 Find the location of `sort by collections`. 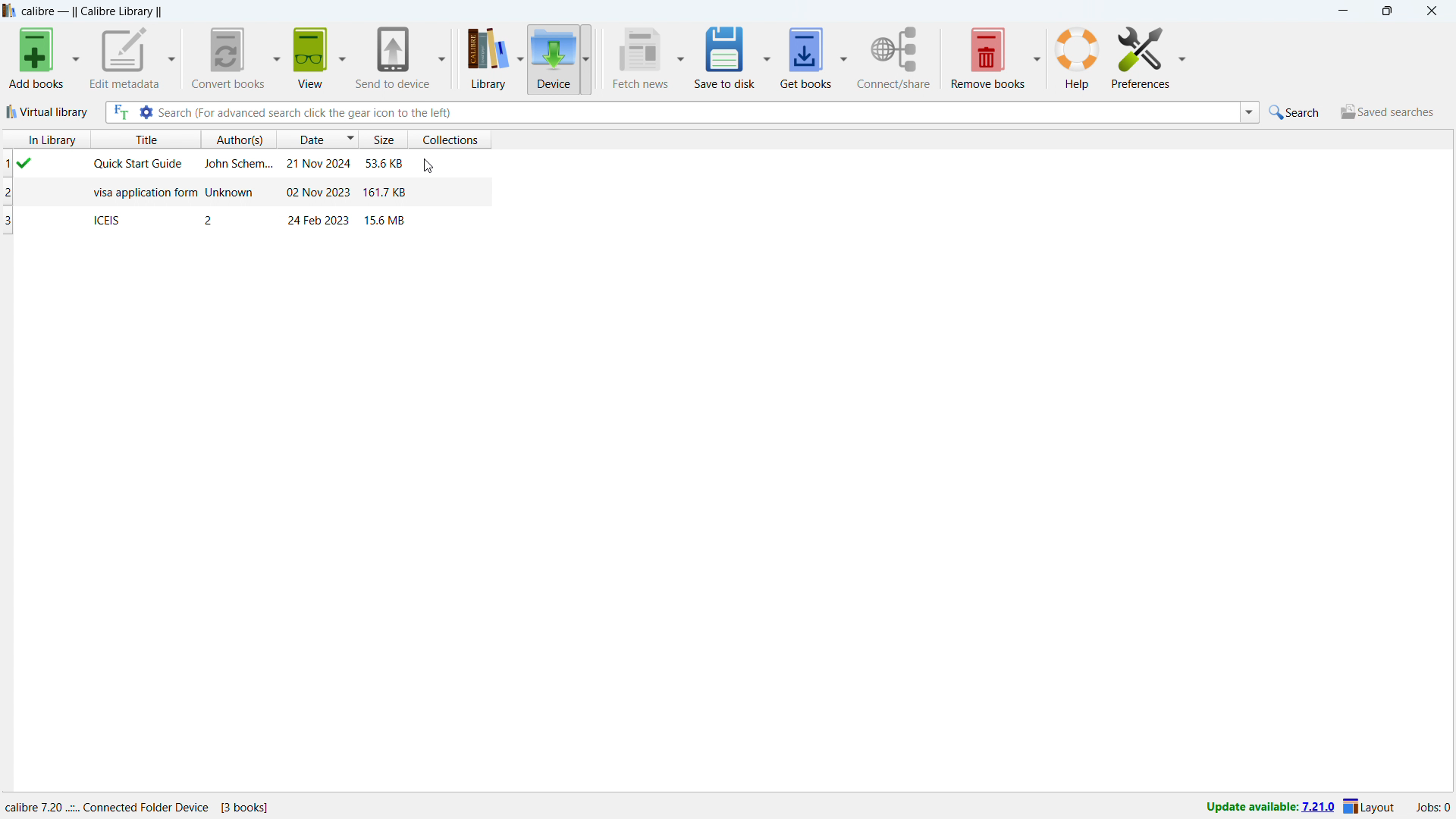

sort by collections is located at coordinates (455, 138).